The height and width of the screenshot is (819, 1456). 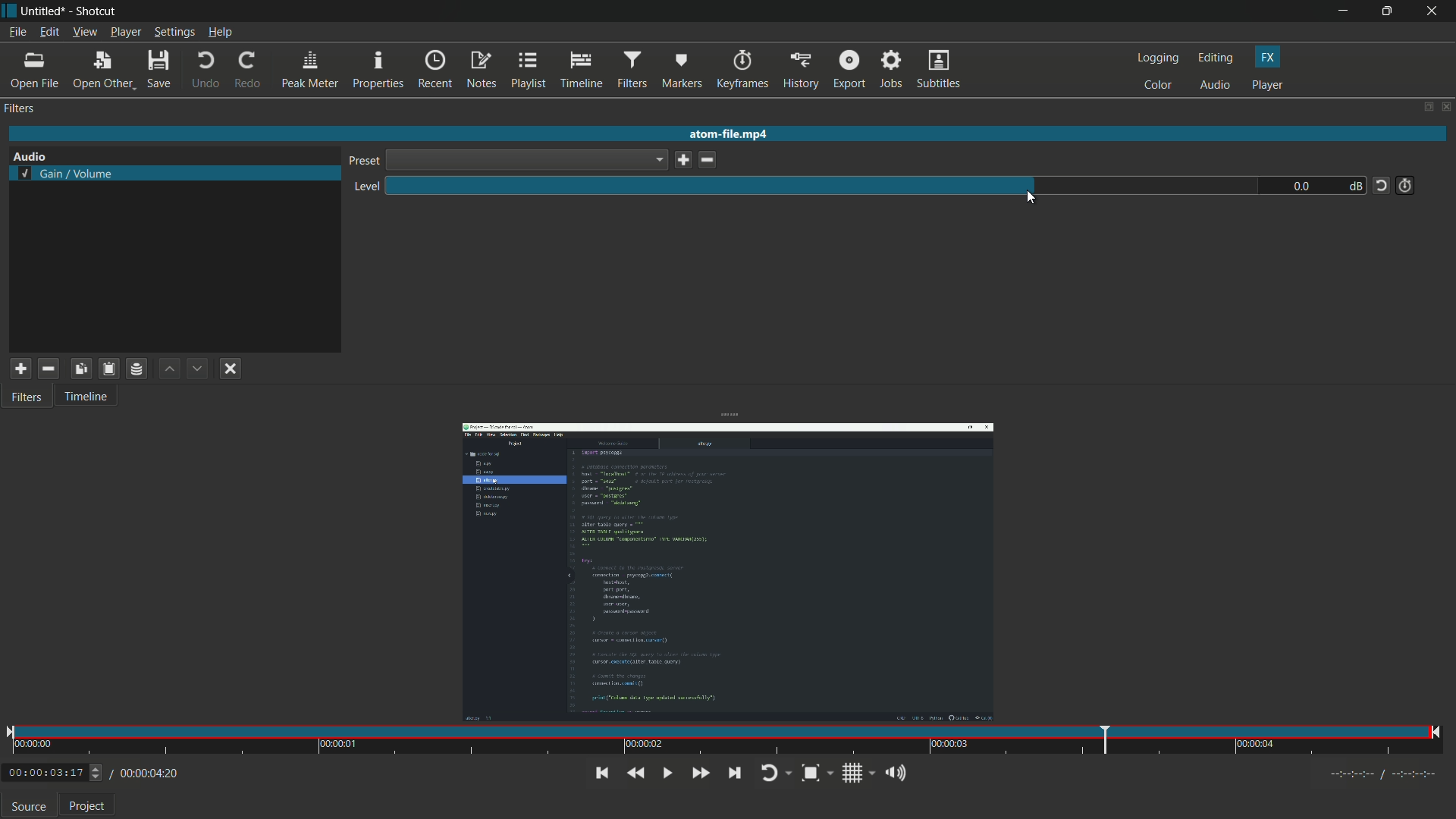 What do you see at coordinates (1381, 185) in the screenshot?
I see `reset tot default` at bounding box center [1381, 185].